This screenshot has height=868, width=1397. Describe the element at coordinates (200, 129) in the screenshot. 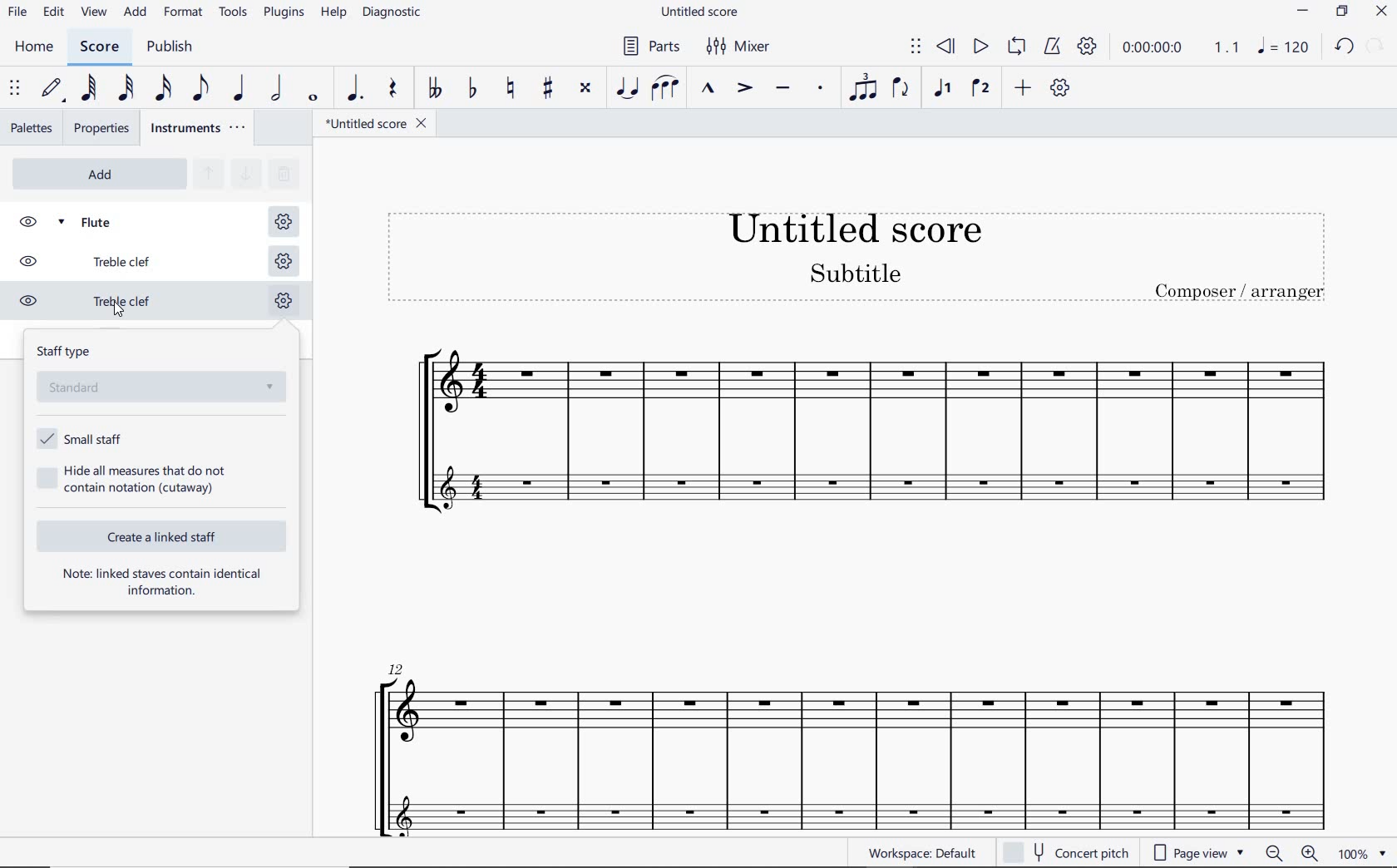

I see `INSTRUMENTS` at that location.